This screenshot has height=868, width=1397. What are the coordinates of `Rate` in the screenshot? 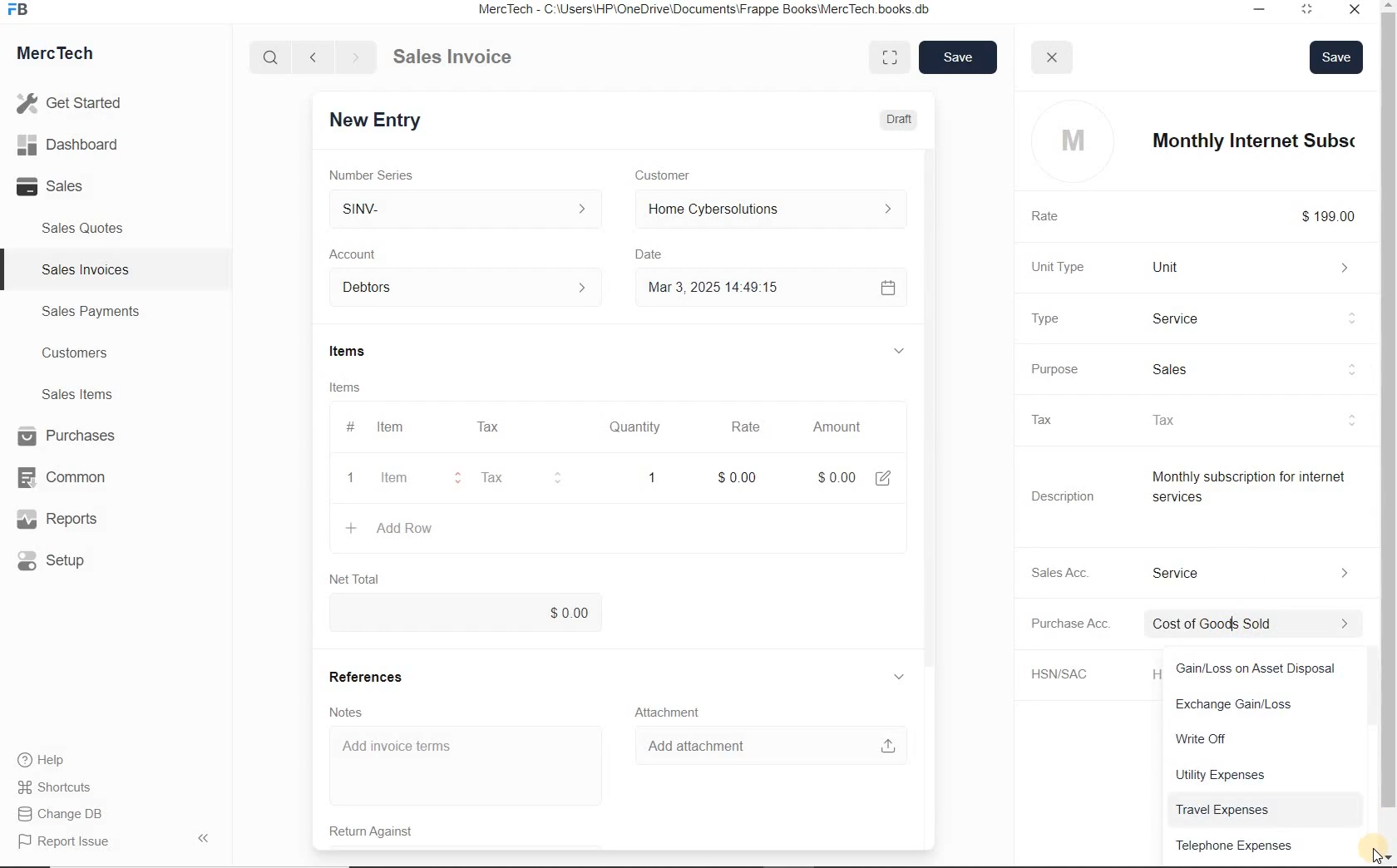 It's located at (753, 427).